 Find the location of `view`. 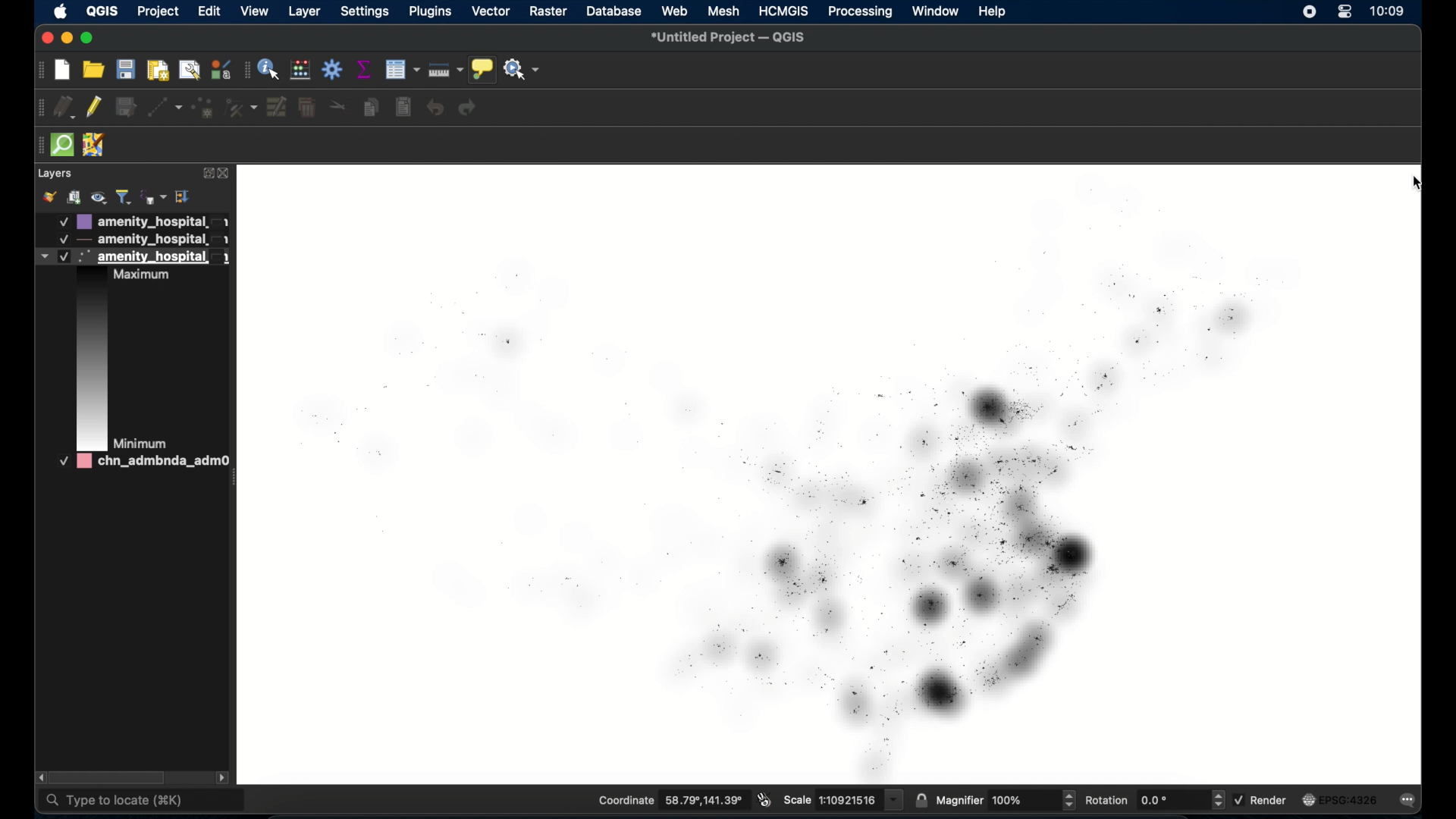

view is located at coordinates (255, 12).